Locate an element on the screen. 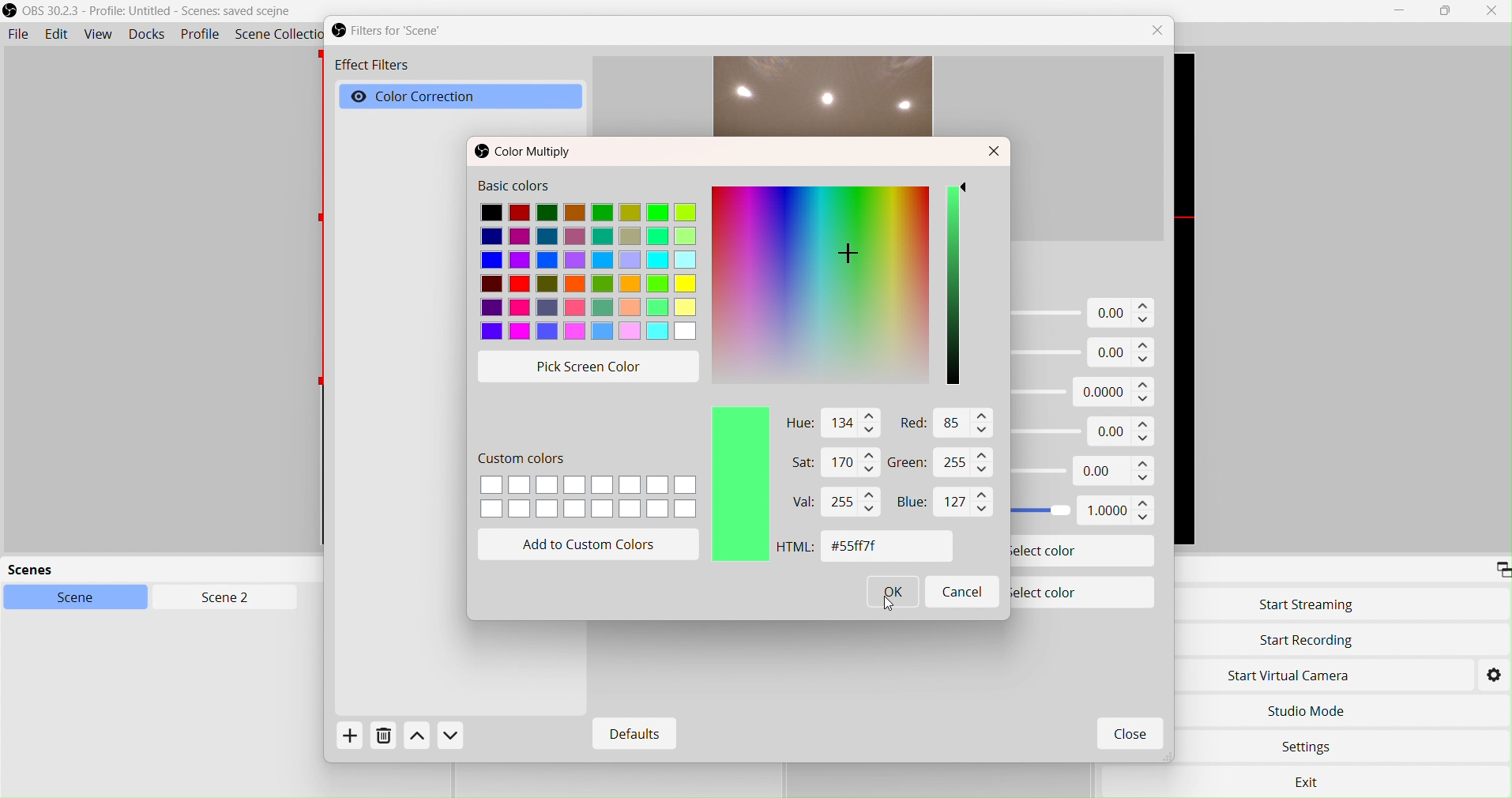  scenes is located at coordinates (126, 570).